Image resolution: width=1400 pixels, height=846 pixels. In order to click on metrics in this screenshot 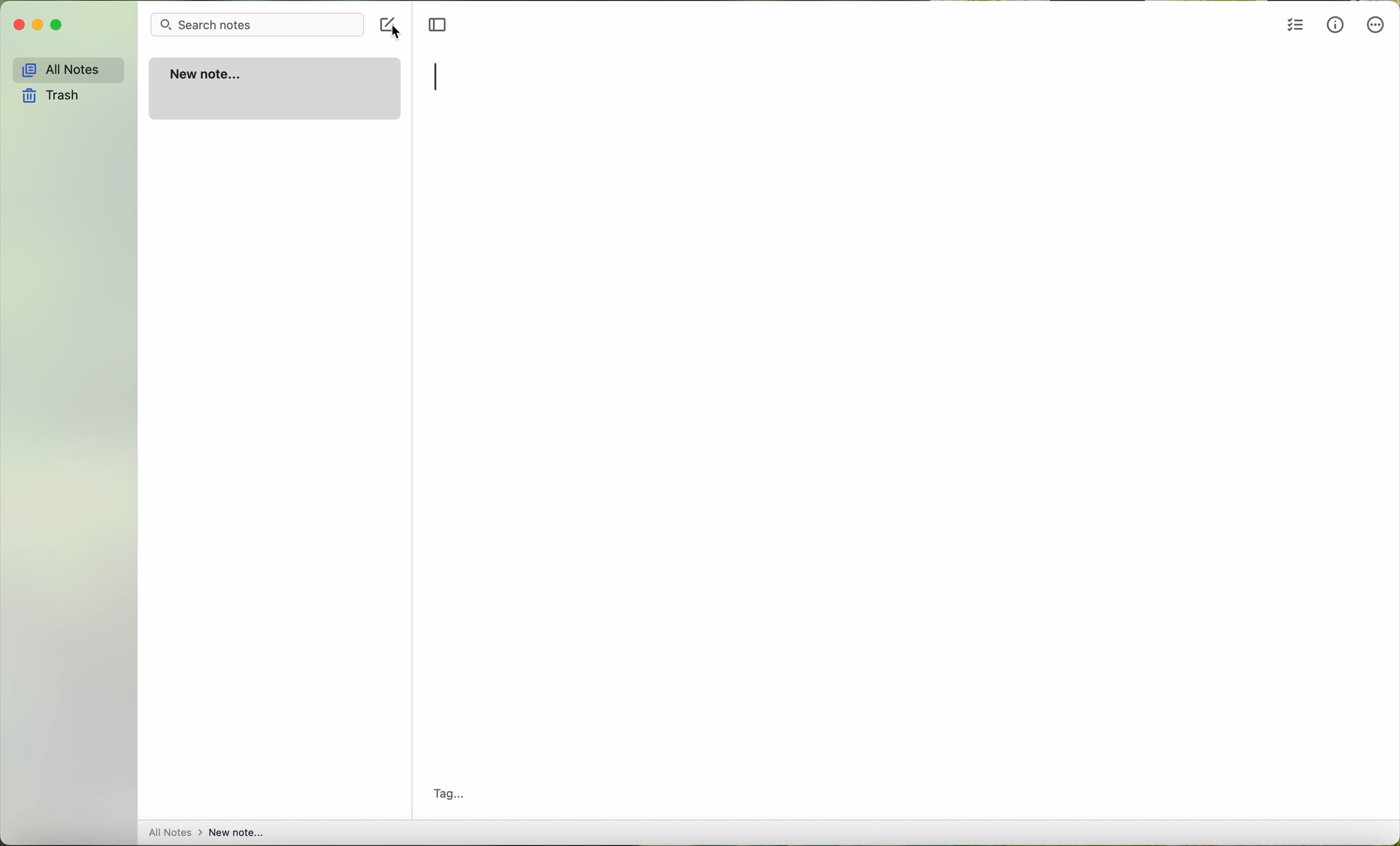, I will do `click(1336, 26)`.